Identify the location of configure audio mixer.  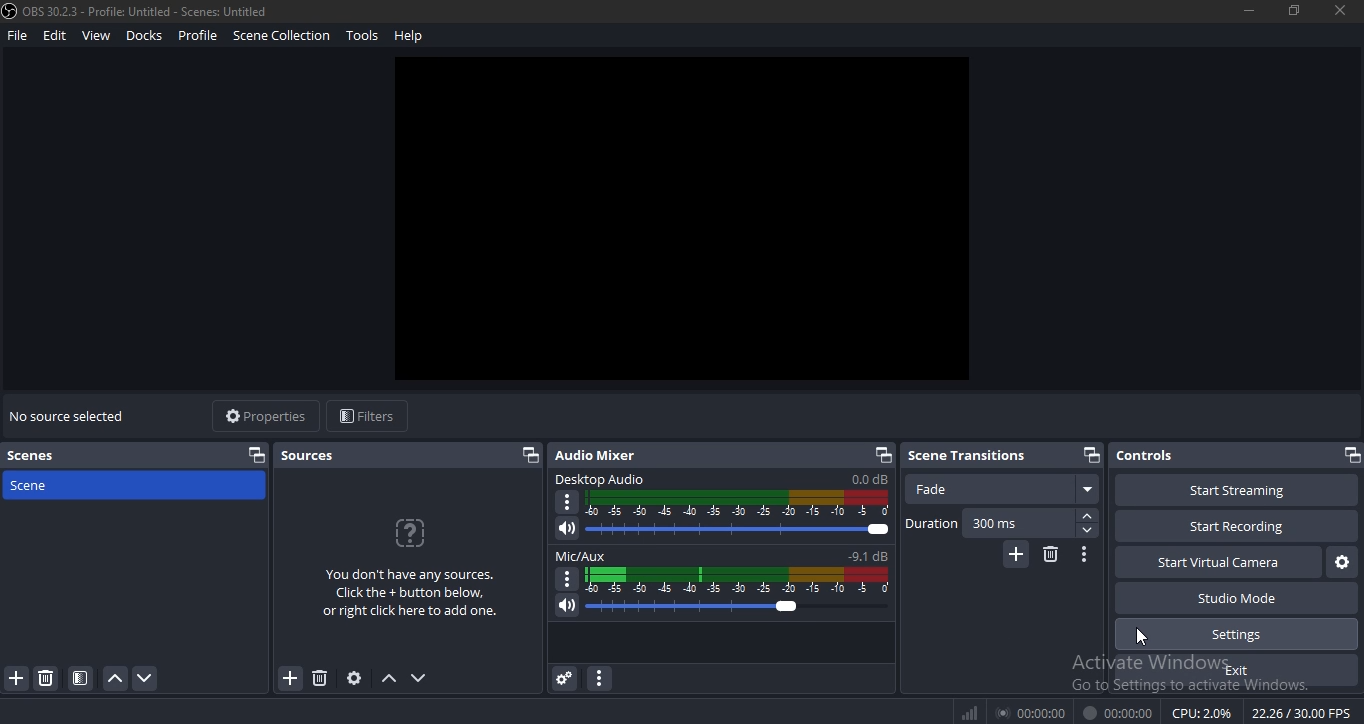
(597, 679).